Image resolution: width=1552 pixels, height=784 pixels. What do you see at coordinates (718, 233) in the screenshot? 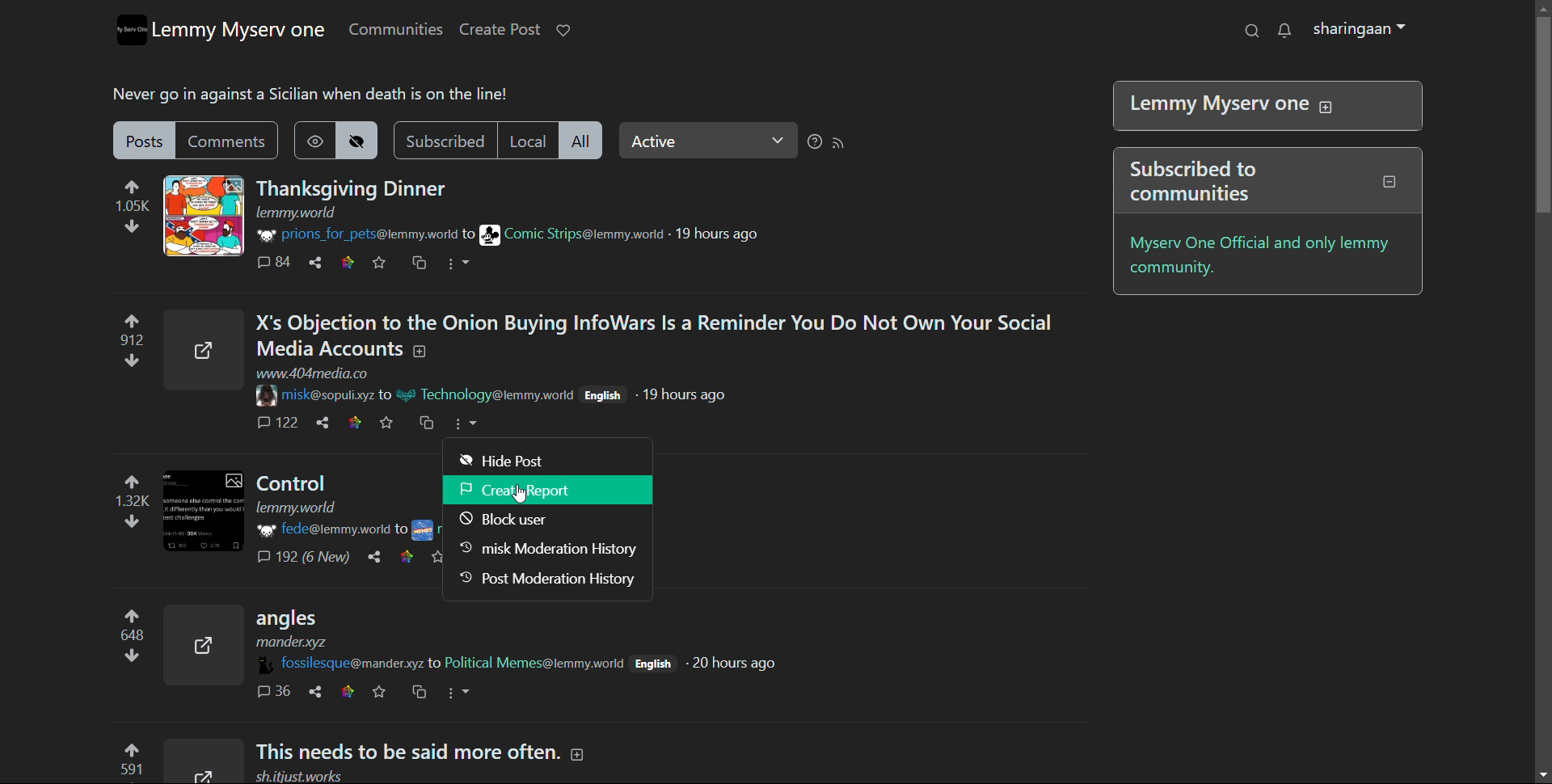
I see `19 hours ago(time of posting)` at bounding box center [718, 233].